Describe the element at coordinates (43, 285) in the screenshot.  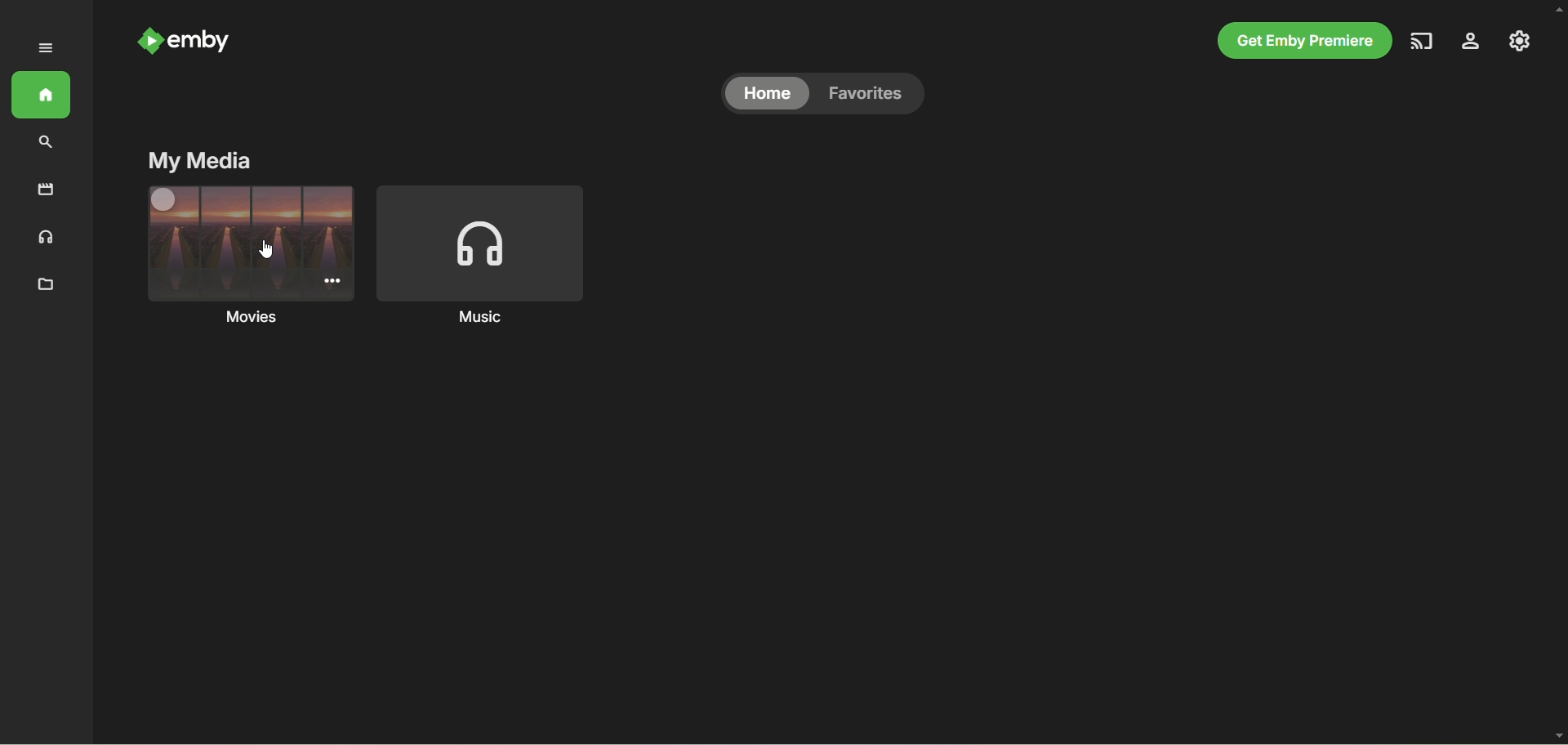
I see `metadata manager` at that location.